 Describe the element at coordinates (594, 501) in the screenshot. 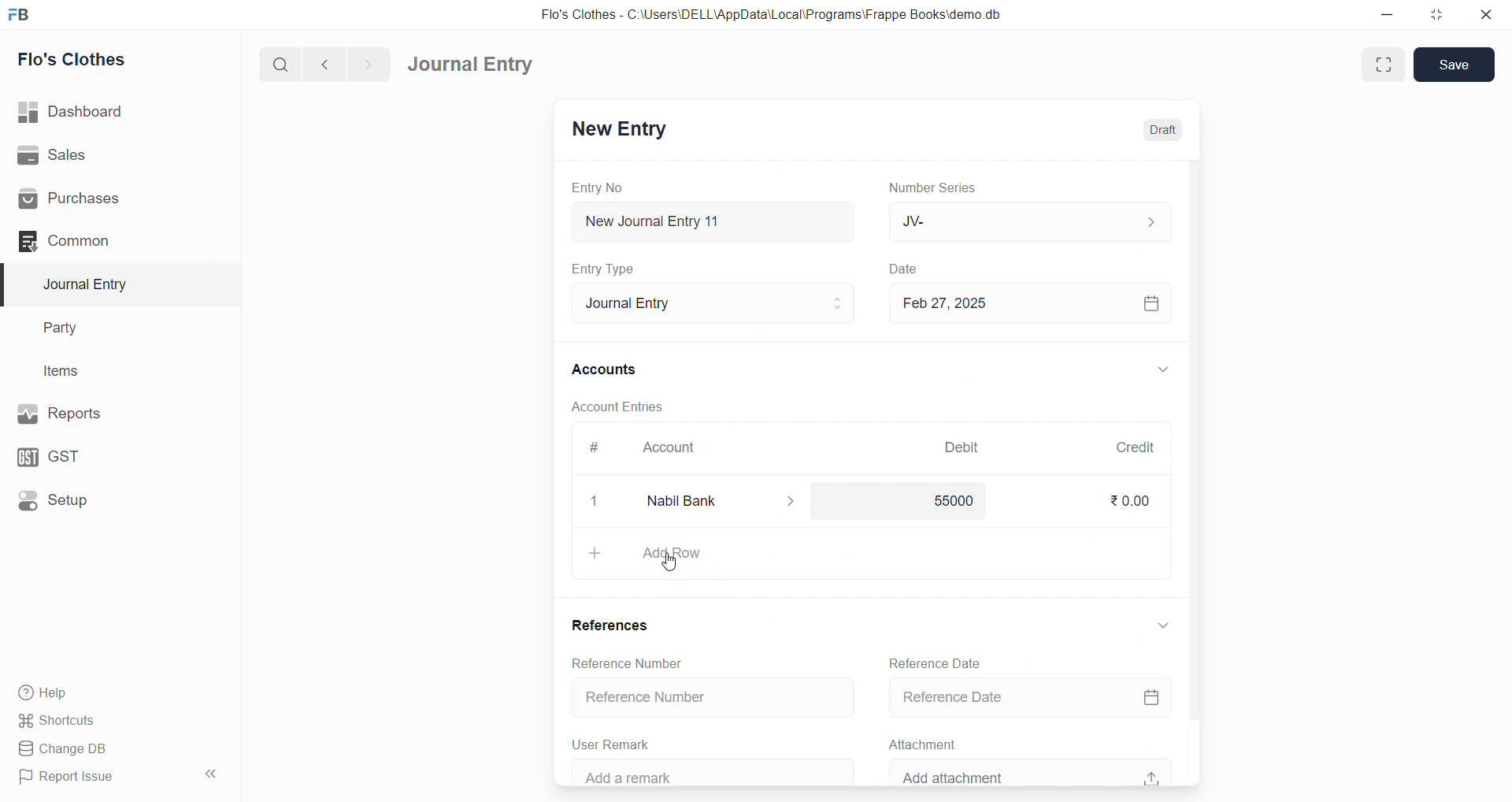

I see `close` at that location.